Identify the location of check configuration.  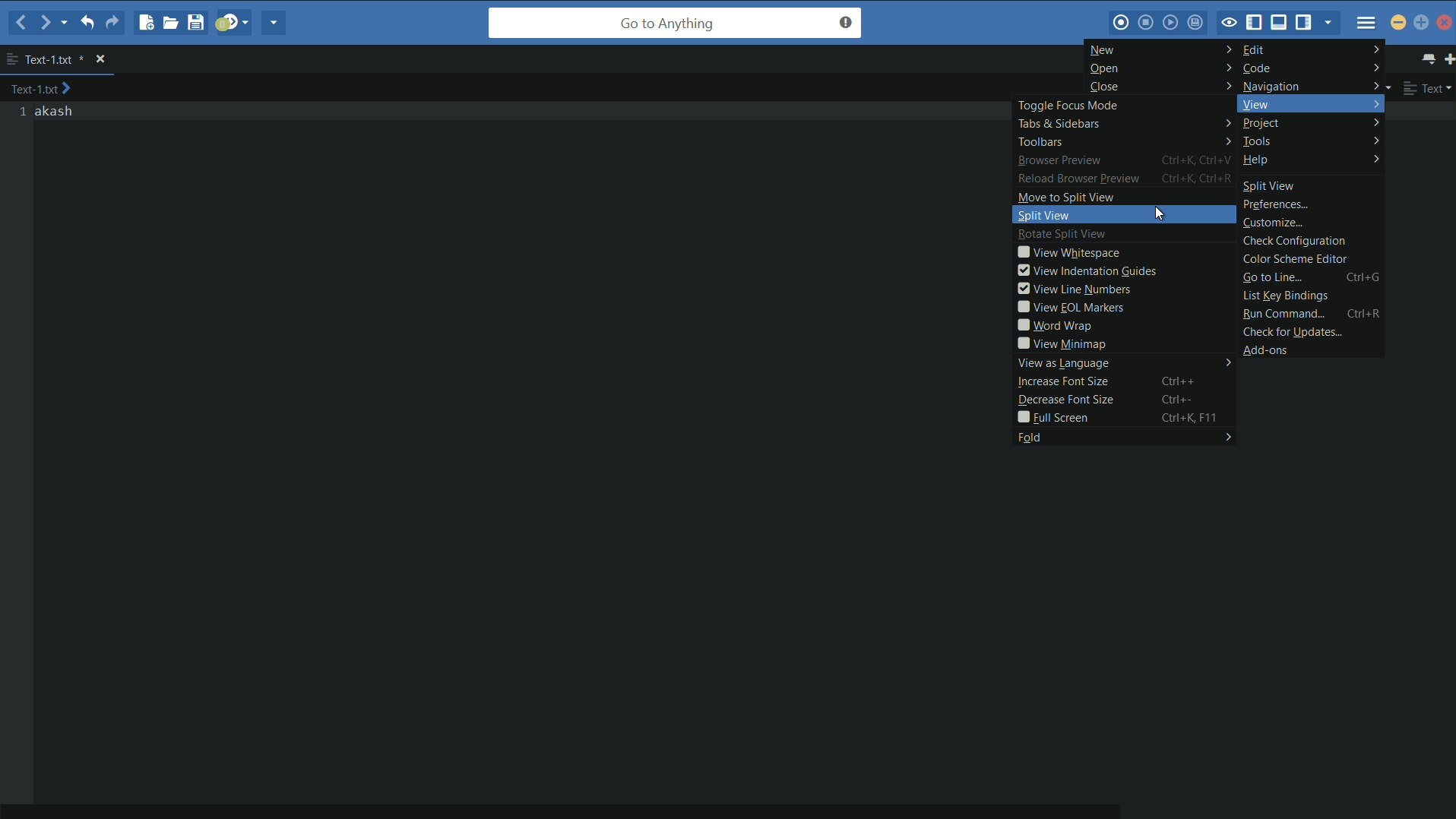
(1311, 241).